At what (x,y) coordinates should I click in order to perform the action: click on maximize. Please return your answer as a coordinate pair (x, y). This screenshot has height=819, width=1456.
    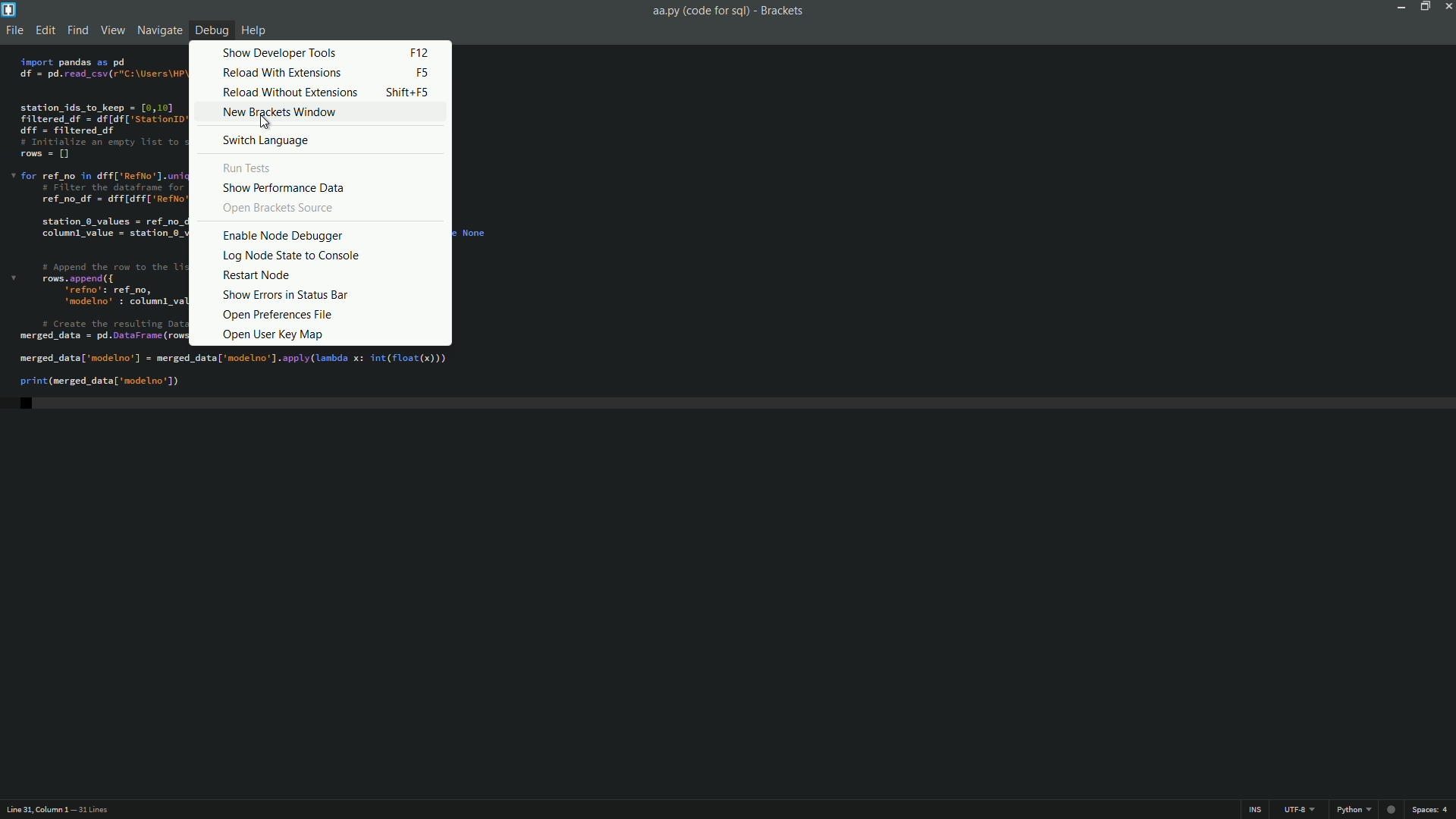
    Looking at the image, I should click on (1425, 7).